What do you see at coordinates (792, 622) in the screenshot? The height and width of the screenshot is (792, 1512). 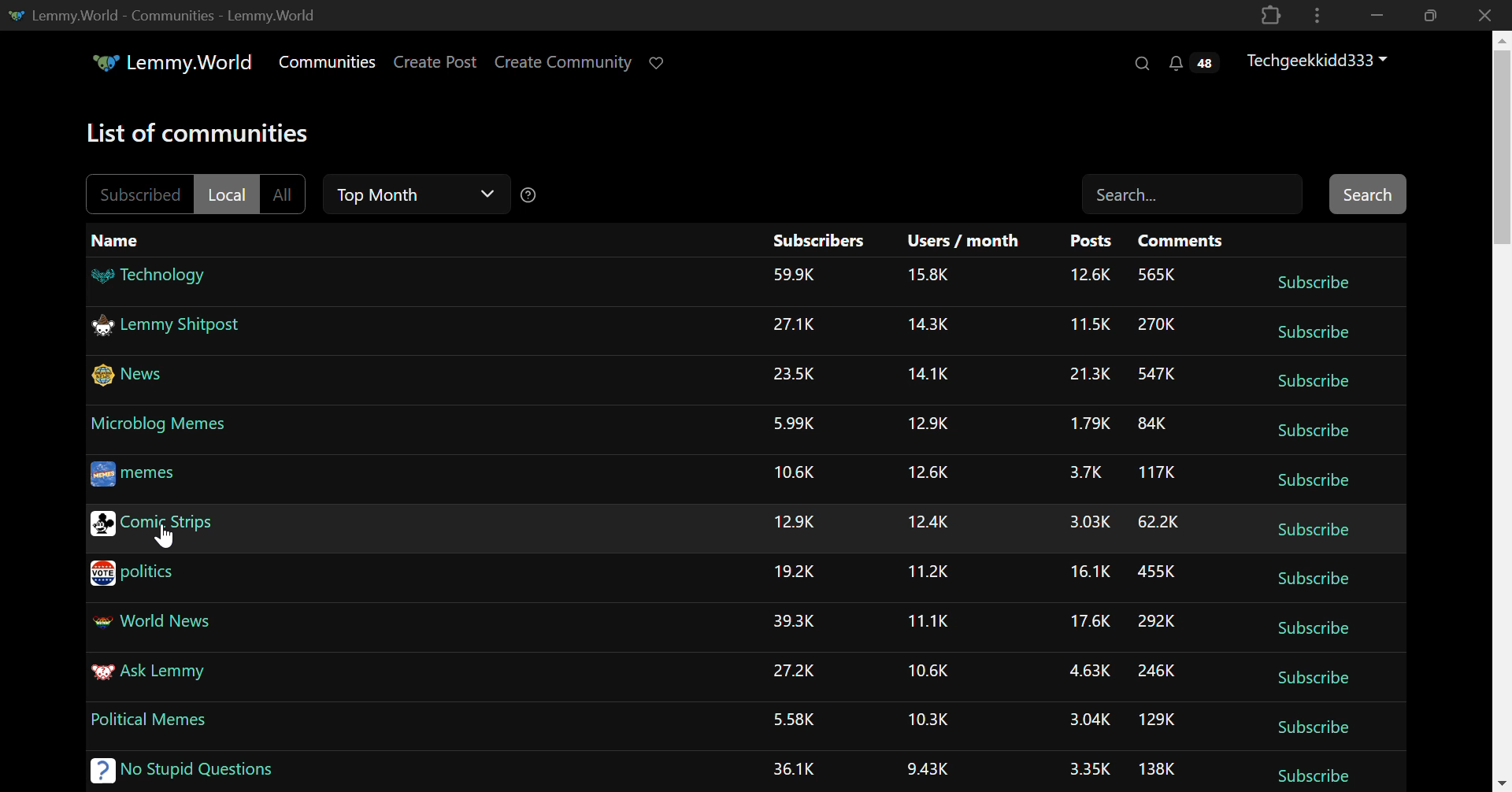 I see `39.3K` at bounding box center [792, 622].